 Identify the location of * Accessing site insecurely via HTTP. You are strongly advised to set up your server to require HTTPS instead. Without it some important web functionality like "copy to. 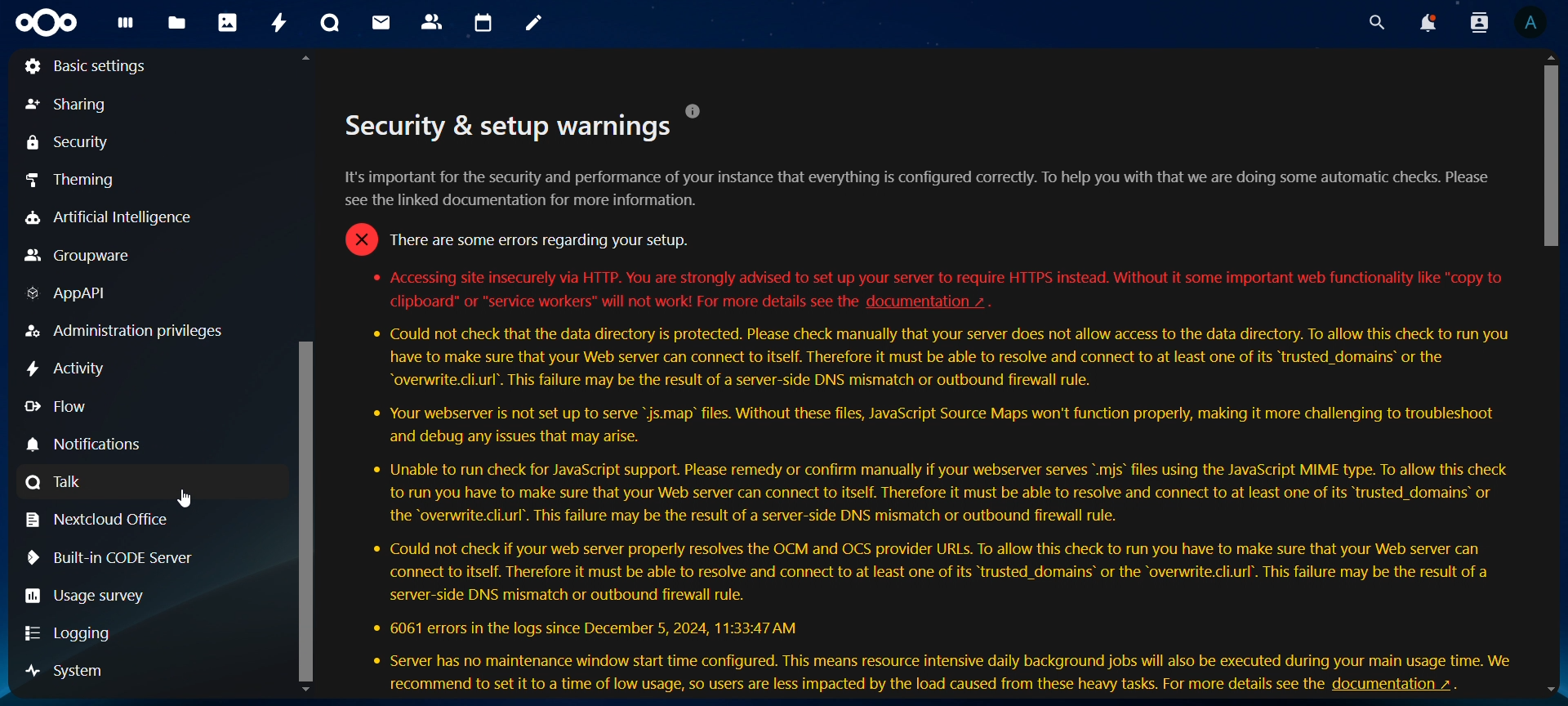
(933, 276).